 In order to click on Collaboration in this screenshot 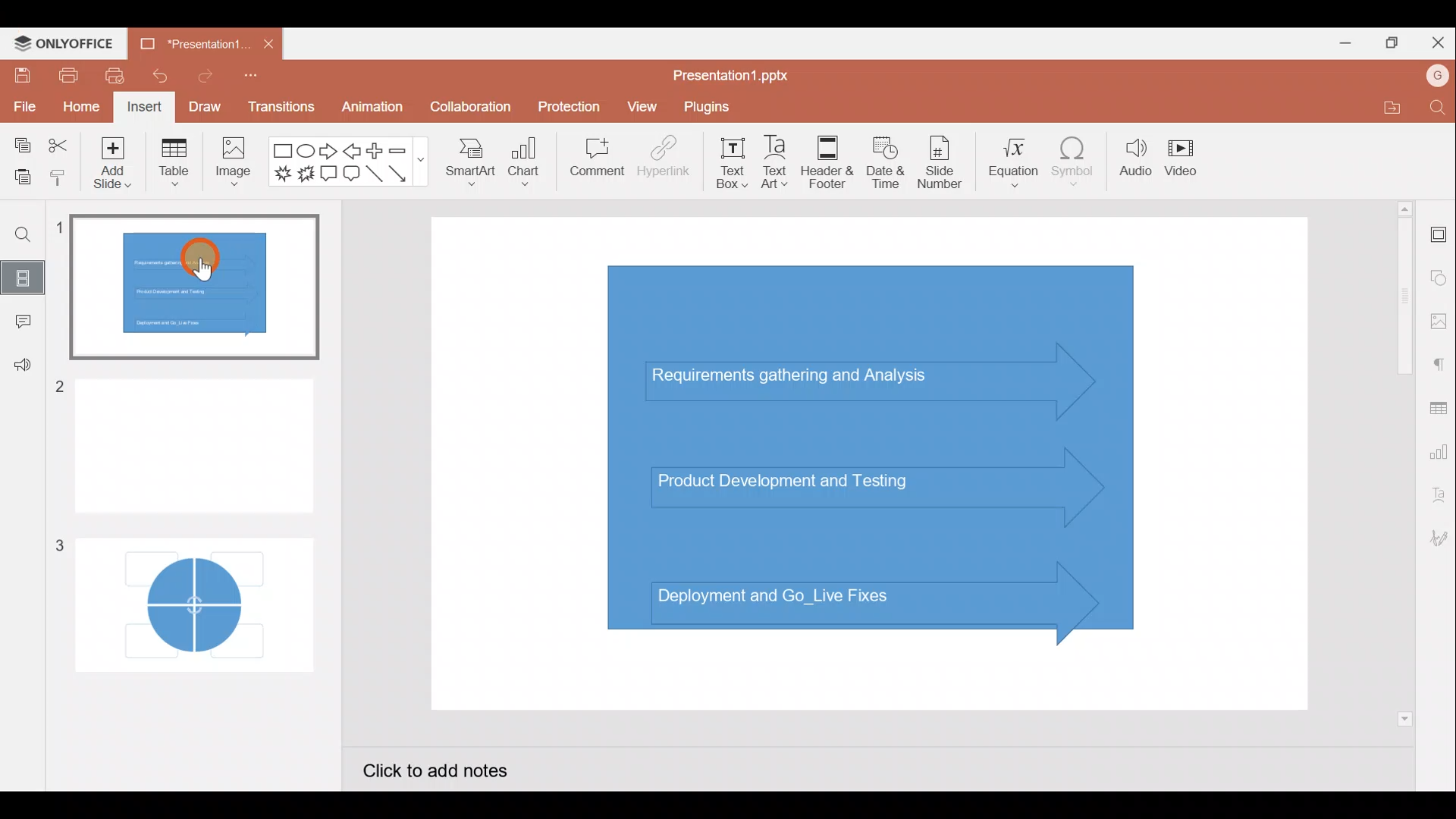, I will do `click(469, 107)`.